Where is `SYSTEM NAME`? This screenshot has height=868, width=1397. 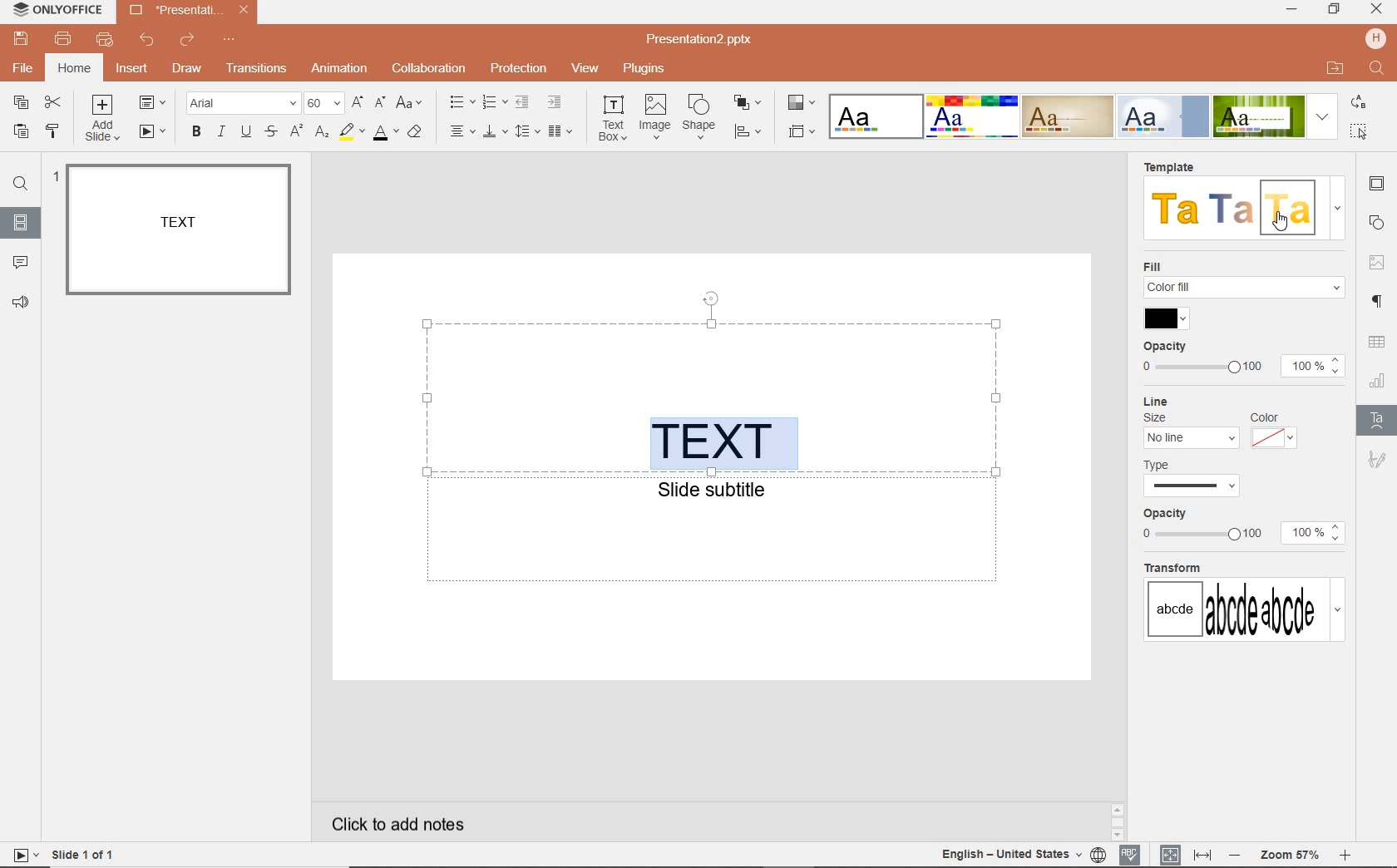 SYSTEM NAME is located at coordinates (55, 9).